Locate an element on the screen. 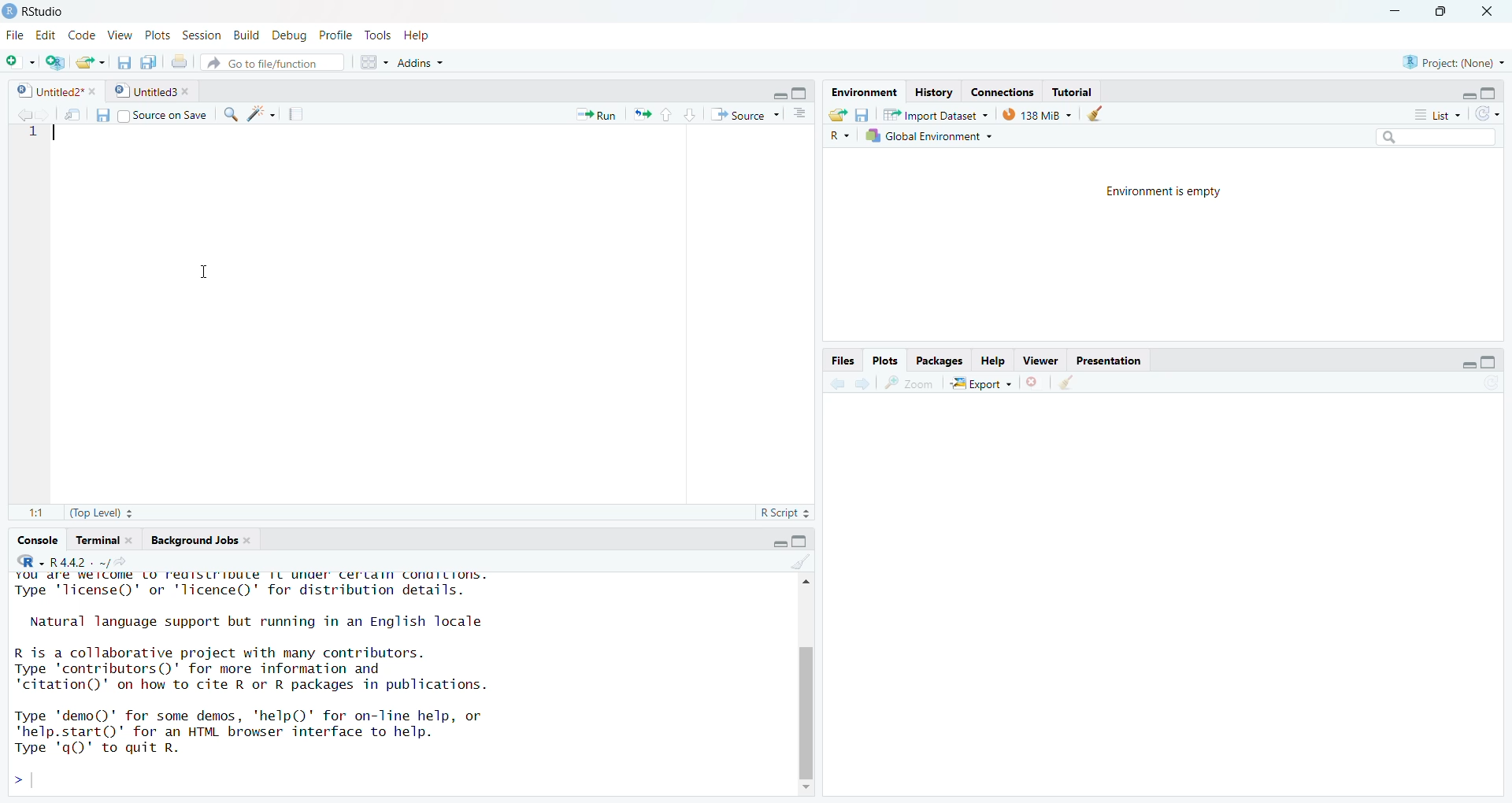  Rerun is located at coordinates (643, 114).